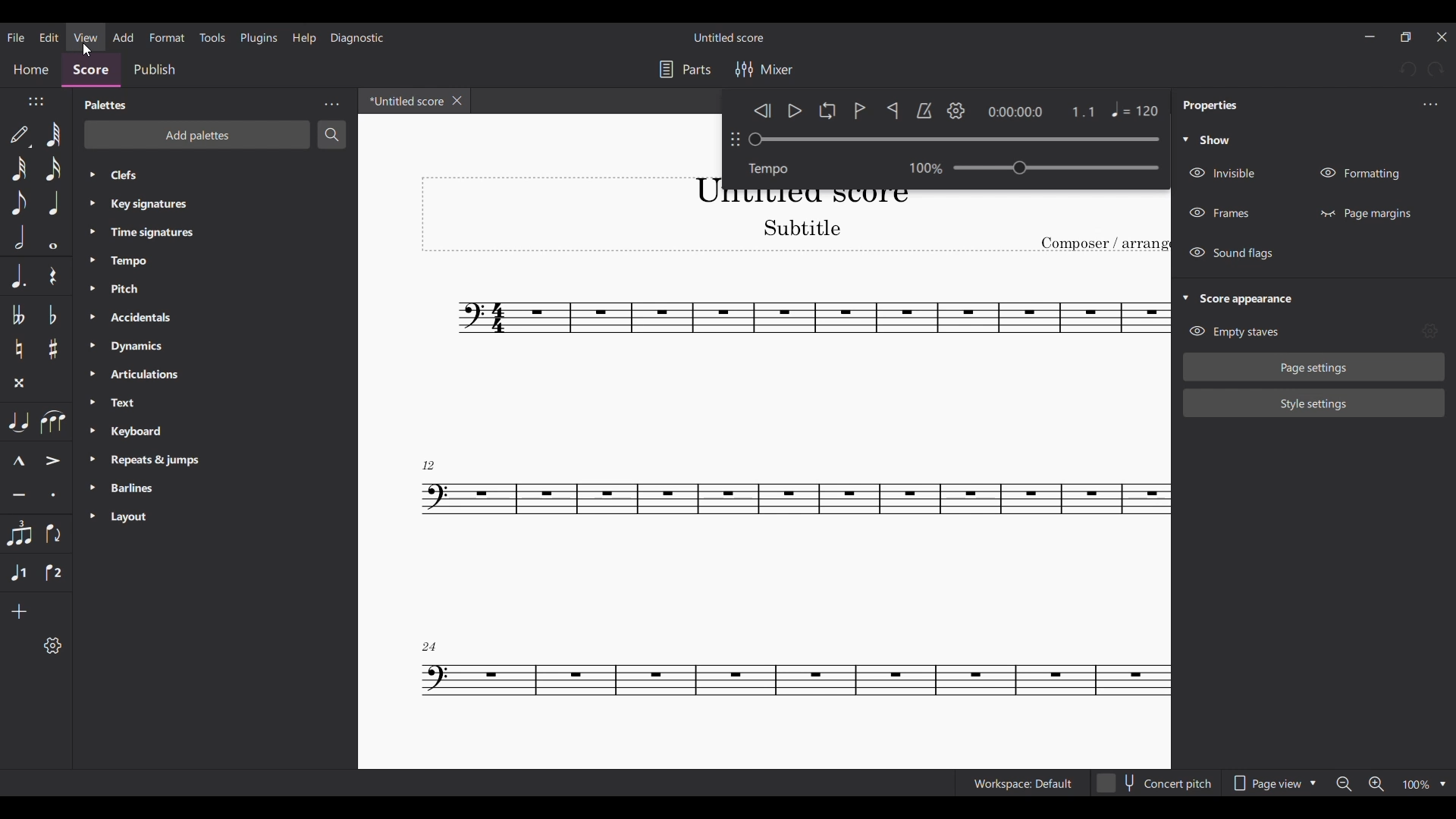 Image resolution: width=1456 pixels, height=819 pixels. I want to click on Format, so click(168, 37).